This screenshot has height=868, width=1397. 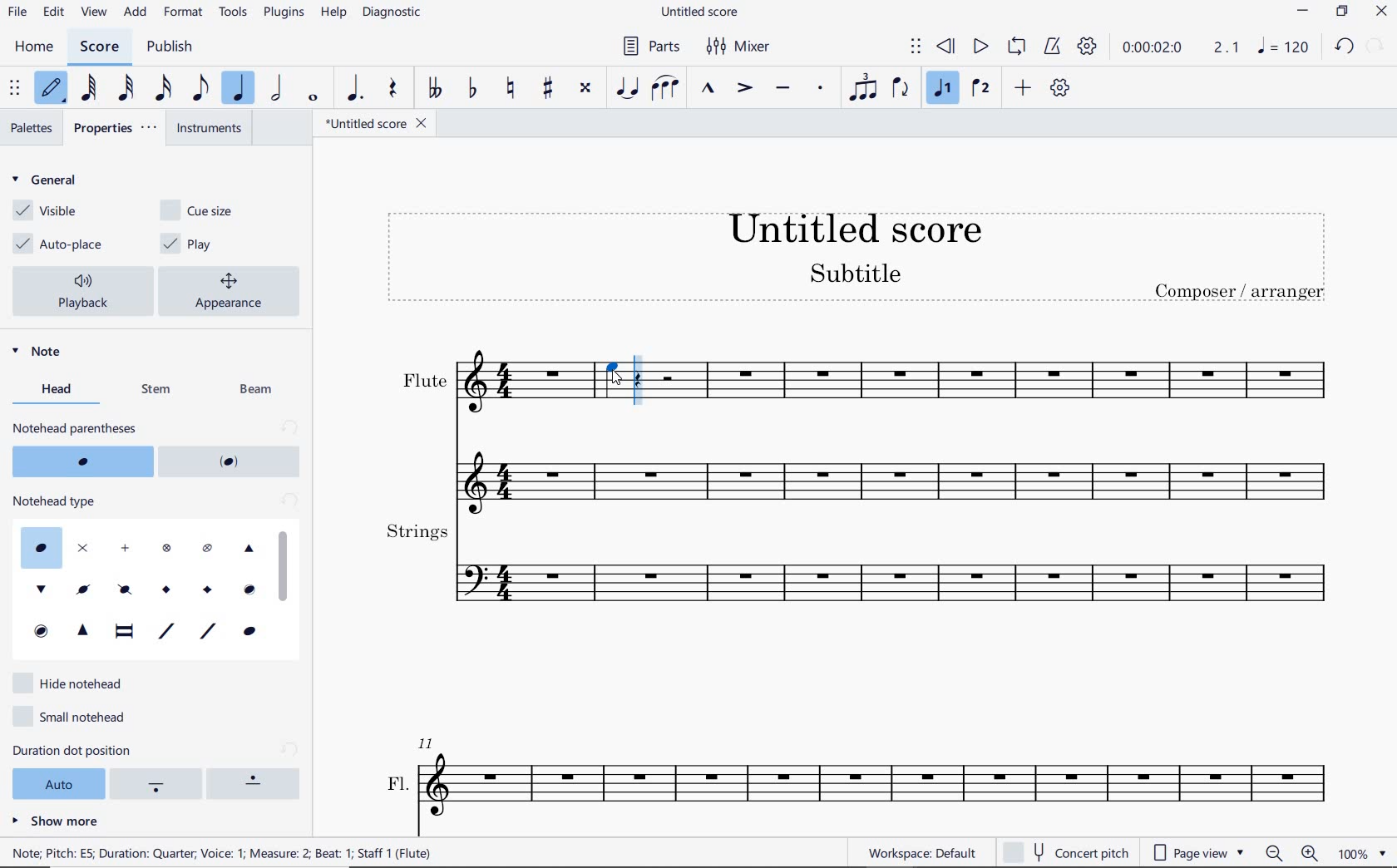 I want to click on SELECT TO MOVE, so click(x=16, y=89).